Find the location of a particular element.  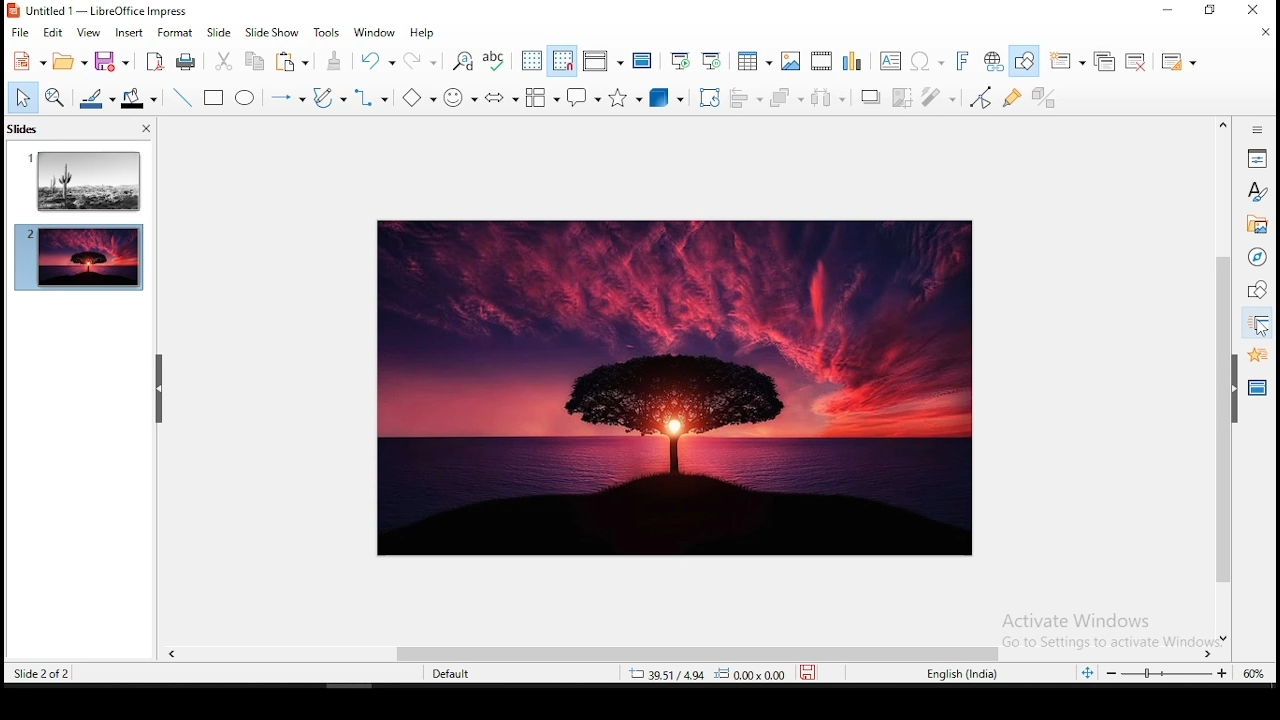

paste is located at coordinates (335, 59).